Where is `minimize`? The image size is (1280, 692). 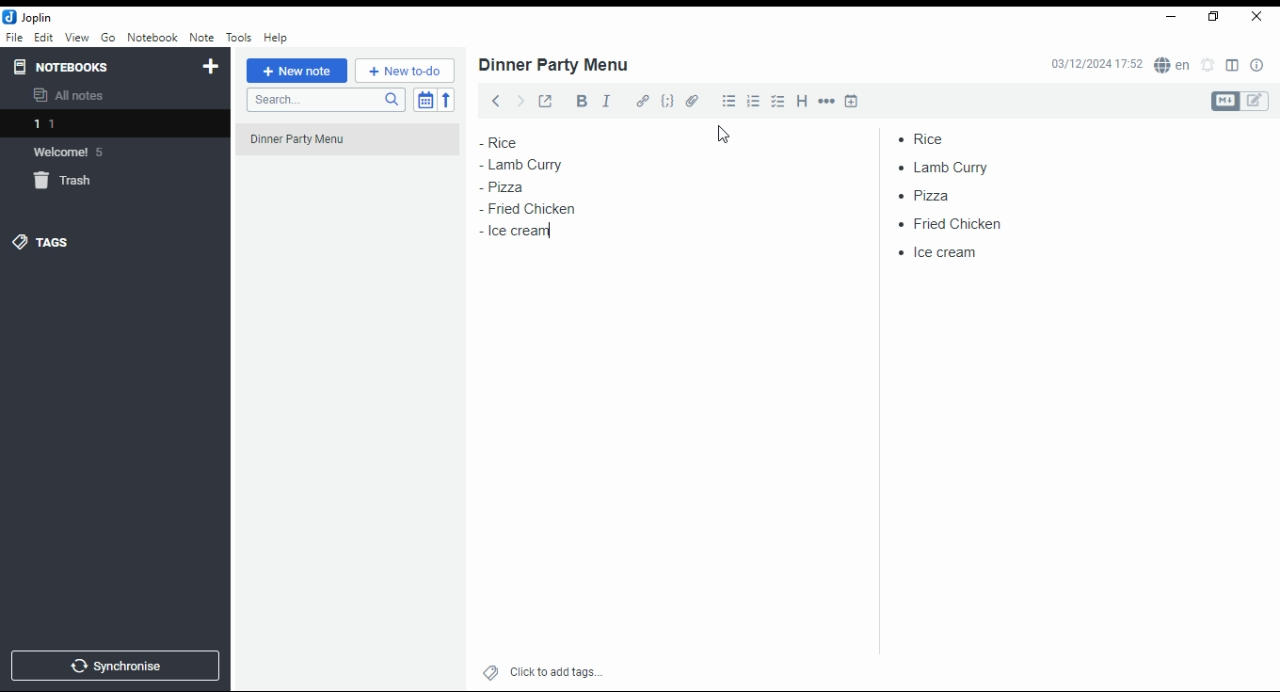 minimize is located at coordinates (1172, 17).